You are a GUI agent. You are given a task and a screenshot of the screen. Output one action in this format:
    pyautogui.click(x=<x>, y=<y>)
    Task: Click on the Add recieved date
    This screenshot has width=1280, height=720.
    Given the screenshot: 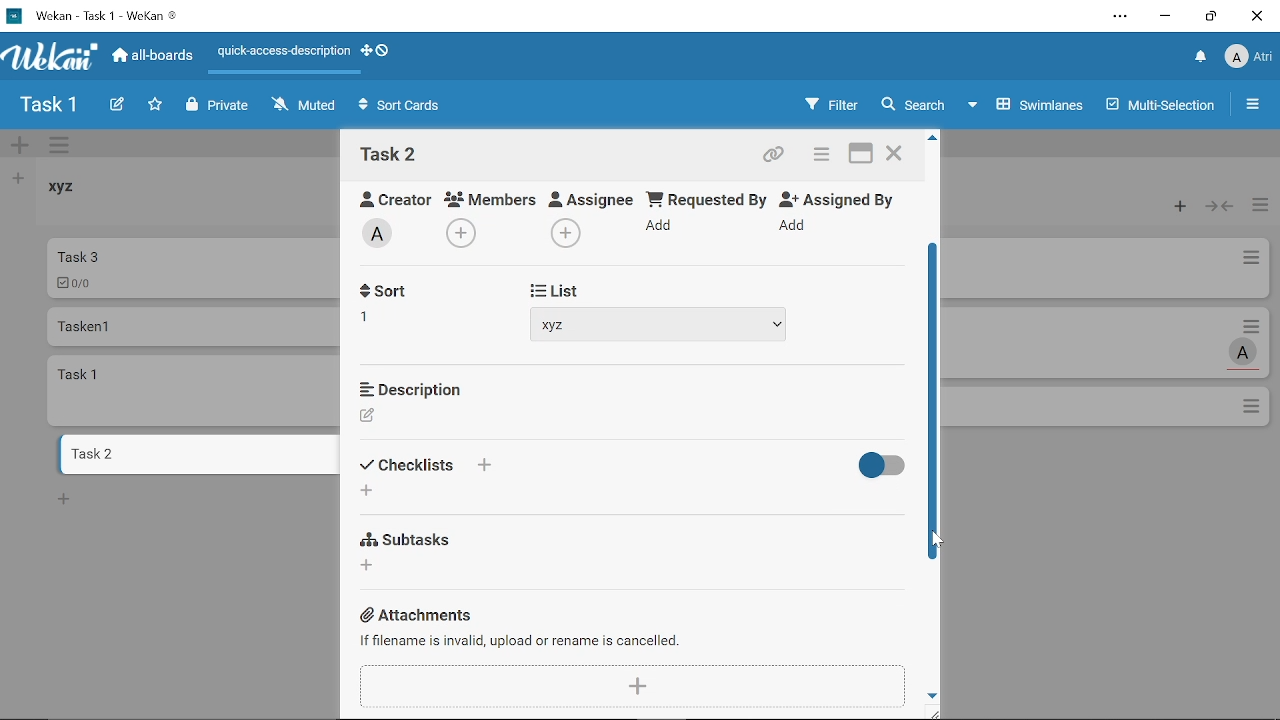 What is the action you would take?
    pyautogui.click(x=376, y=321)
    